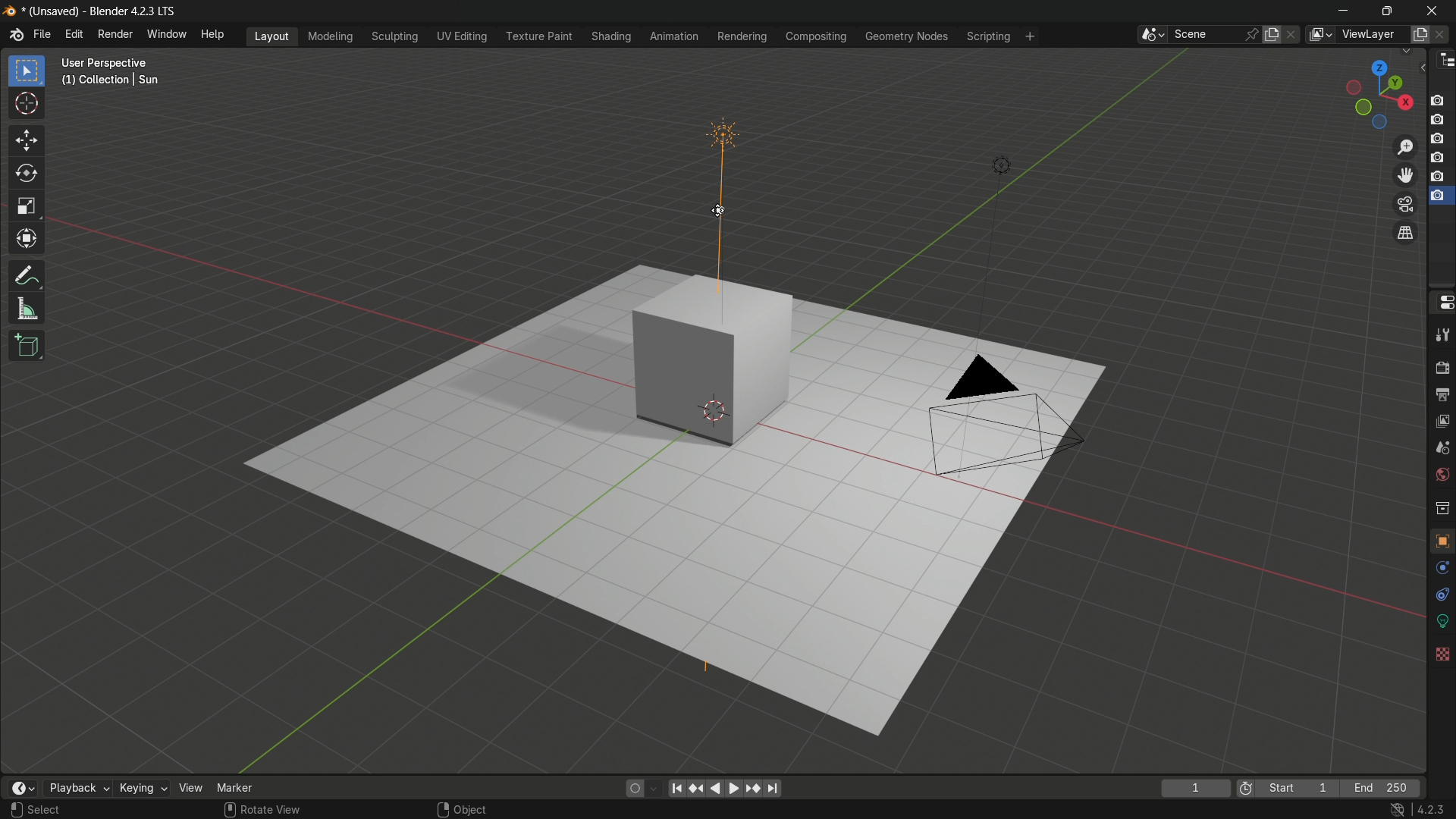  What do you see at coordinates (818, 36) in the screenshot?
I see `compositing` at bounding box center [818, 36].